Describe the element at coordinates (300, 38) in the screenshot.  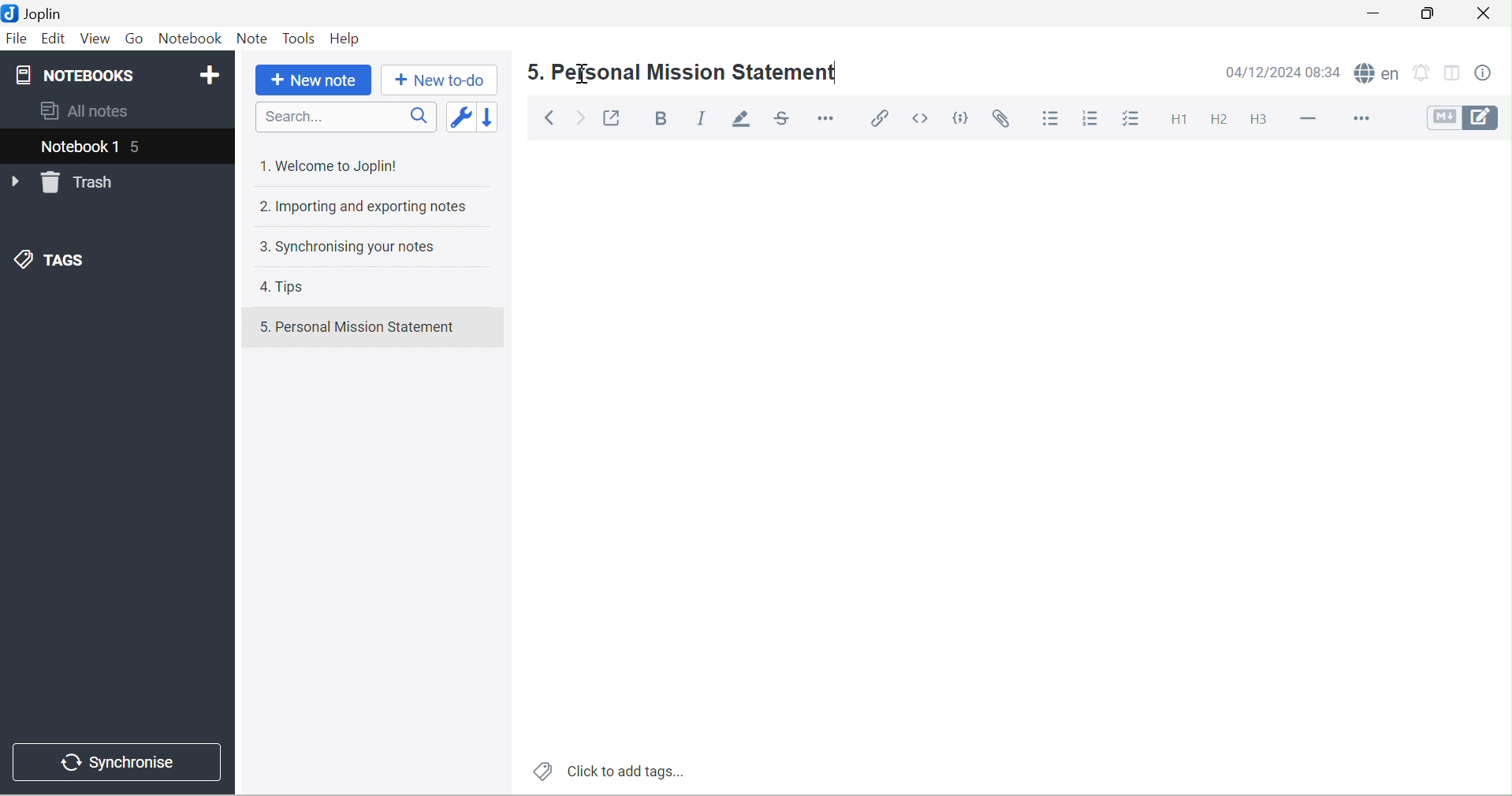
I see `Tools` at that location.